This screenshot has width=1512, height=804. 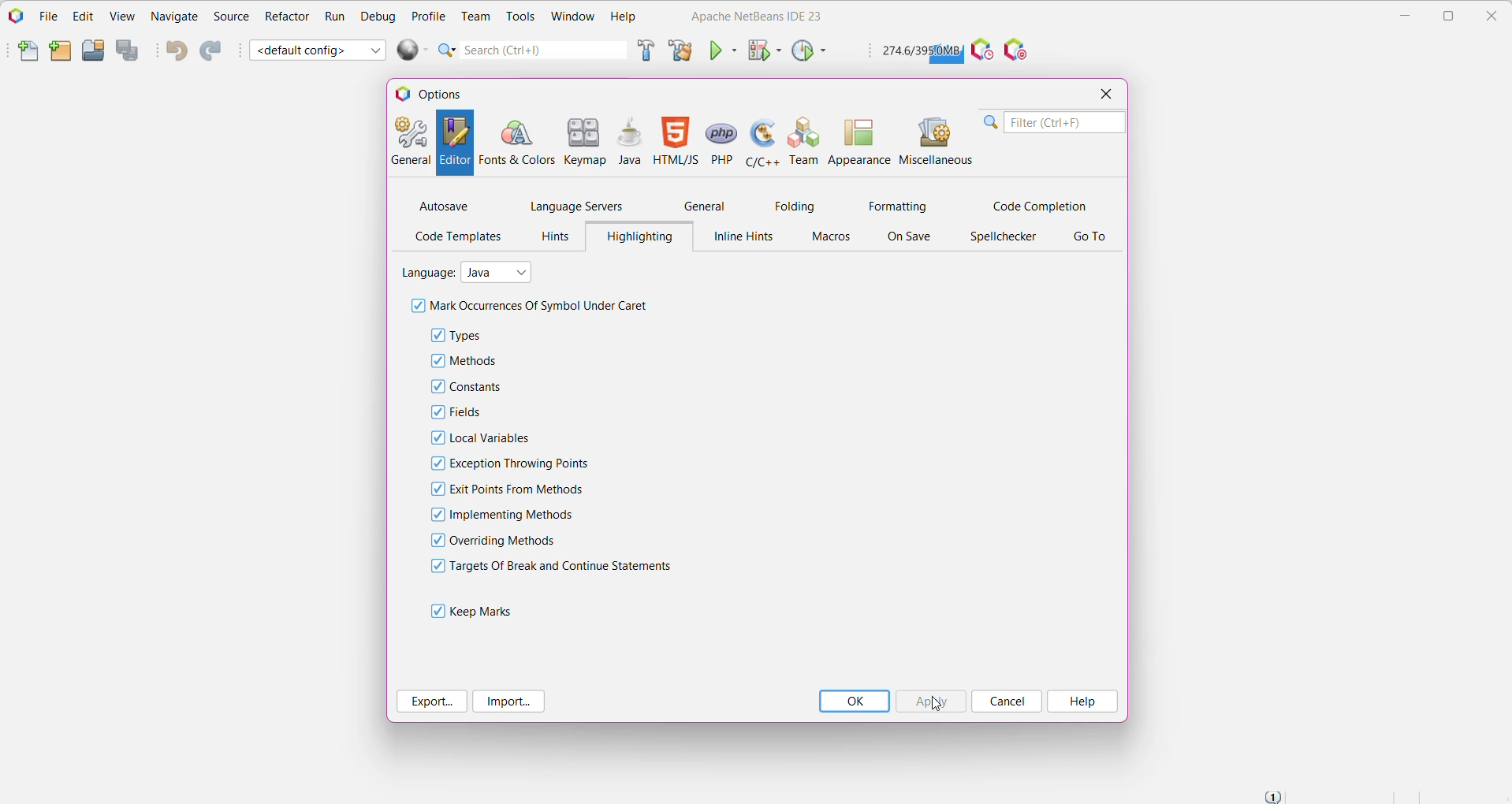 I want to click on checkbox, so click(x=434, y=489).